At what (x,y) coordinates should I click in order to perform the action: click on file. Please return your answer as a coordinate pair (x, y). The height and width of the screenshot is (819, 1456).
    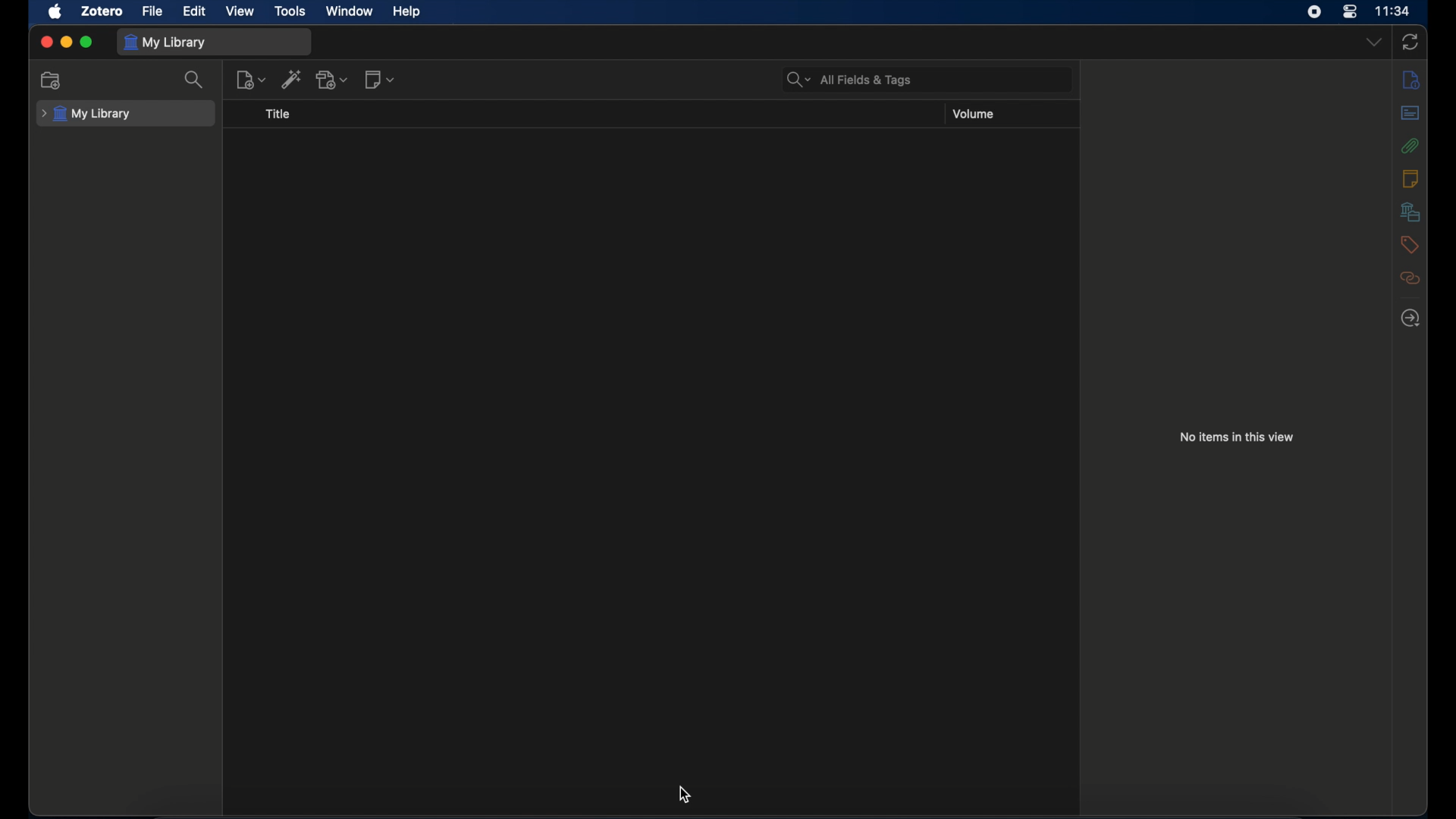
    Looking at the image, I should click on (152, 12).